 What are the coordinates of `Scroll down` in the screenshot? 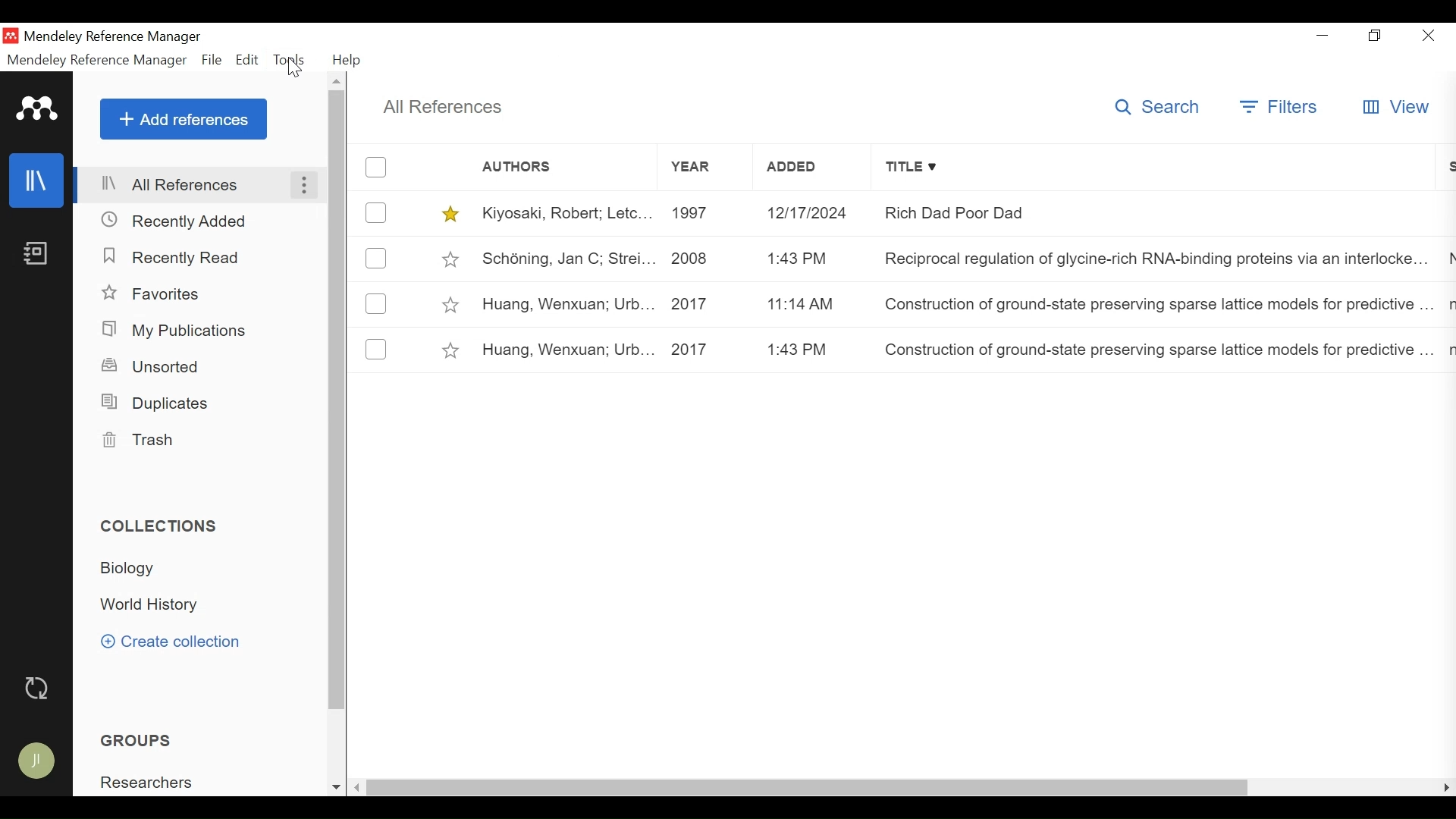 It's located at (334, 789).